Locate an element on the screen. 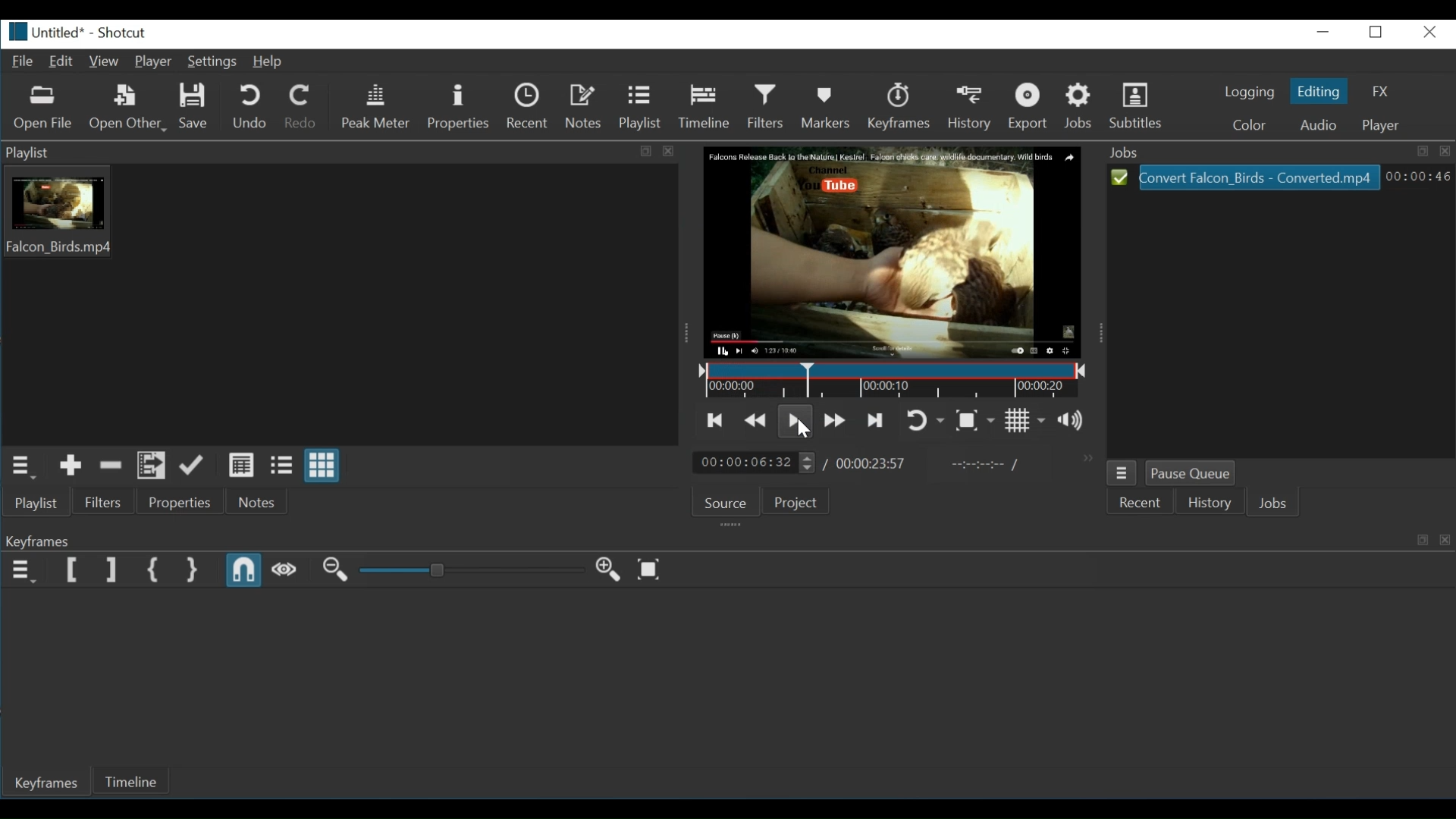 The width and height of the screenshot is (1456, 819). Update is located at coordinates (190, 466).